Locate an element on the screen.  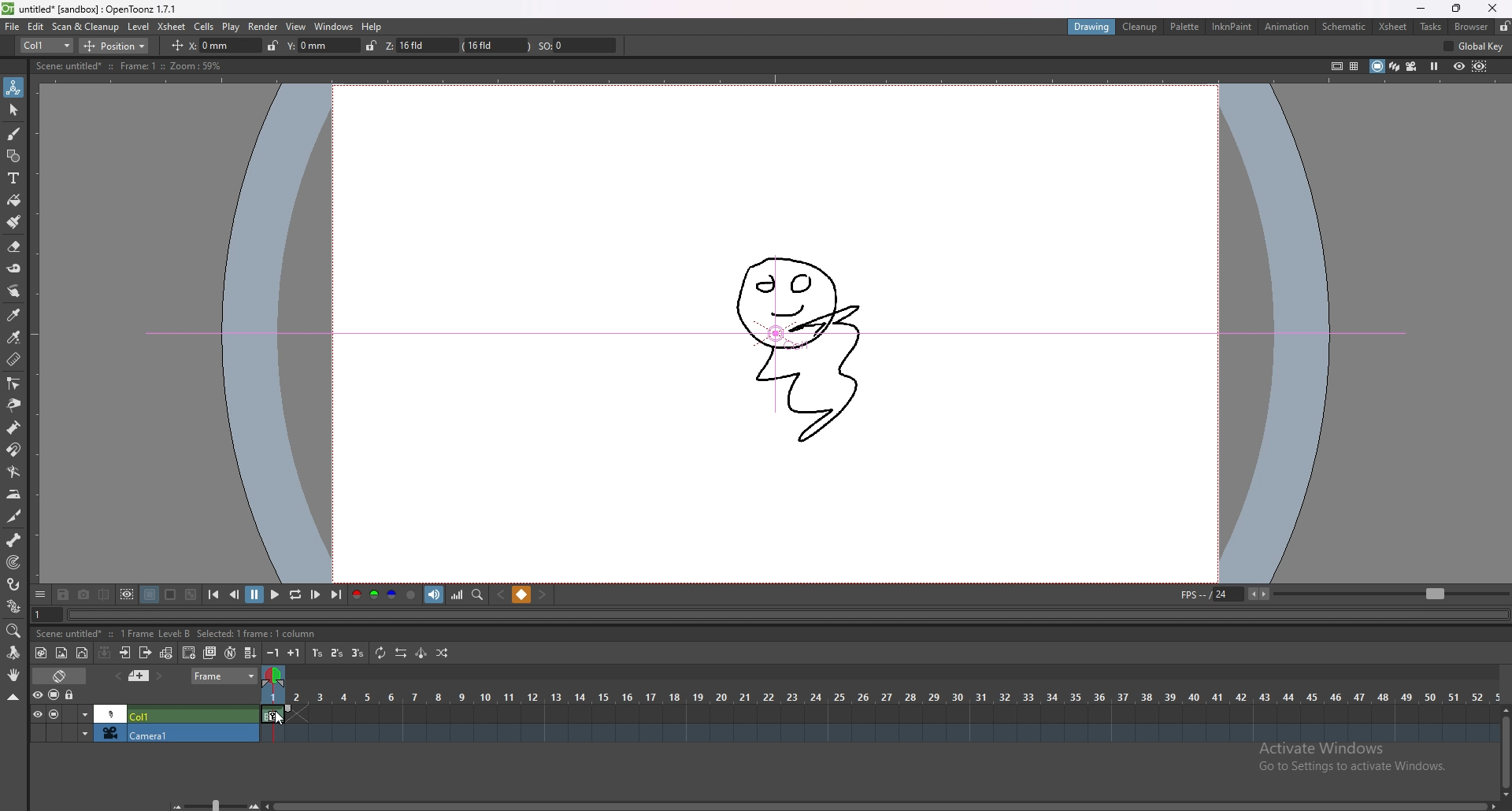
palette is located at coordinates (1185, 26).